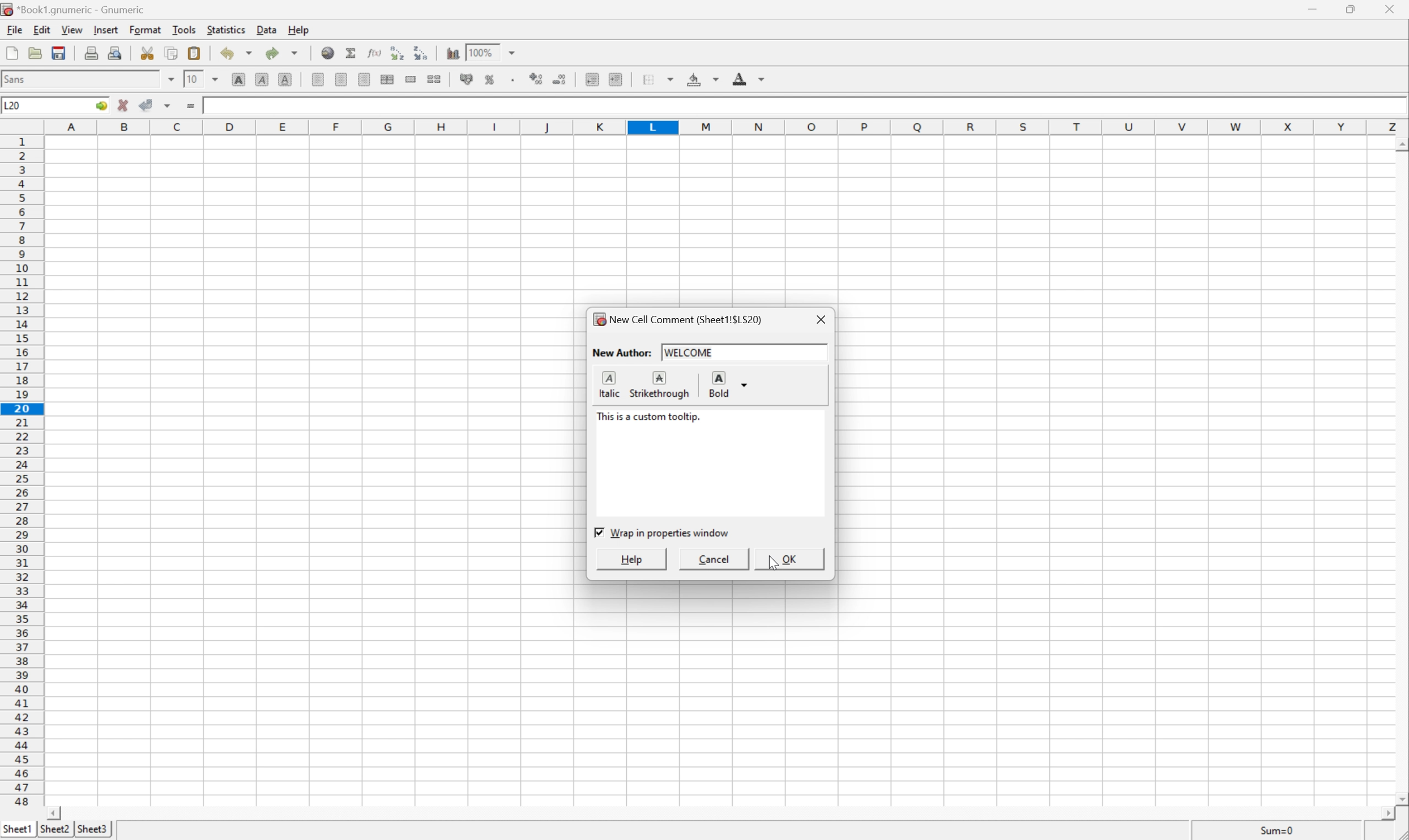  Describe the element at coordinates (749, 78) in the screenshot. I see `Foreground` at that location.